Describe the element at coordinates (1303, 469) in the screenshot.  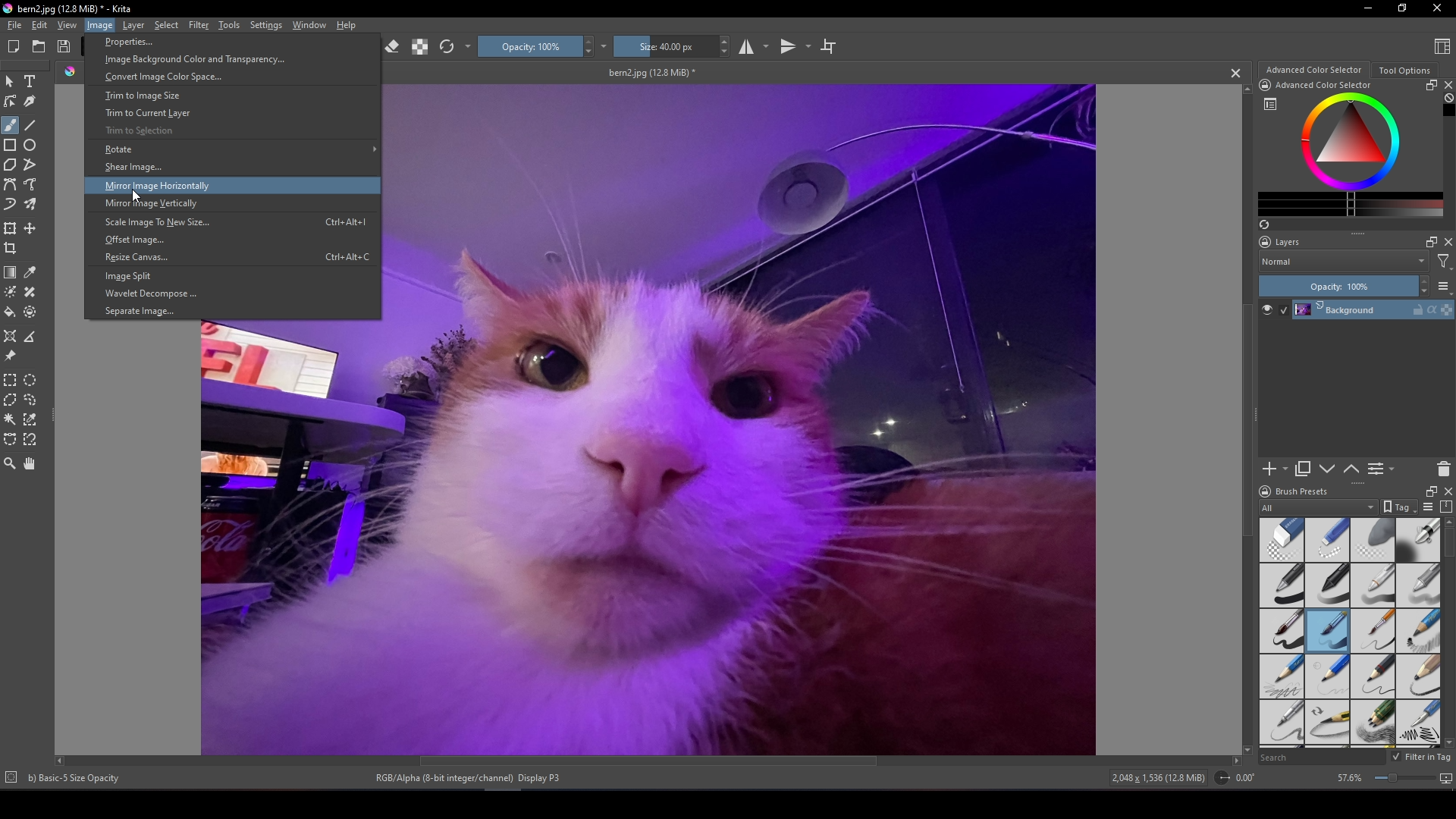
I see `Duplicate layer` at that location.